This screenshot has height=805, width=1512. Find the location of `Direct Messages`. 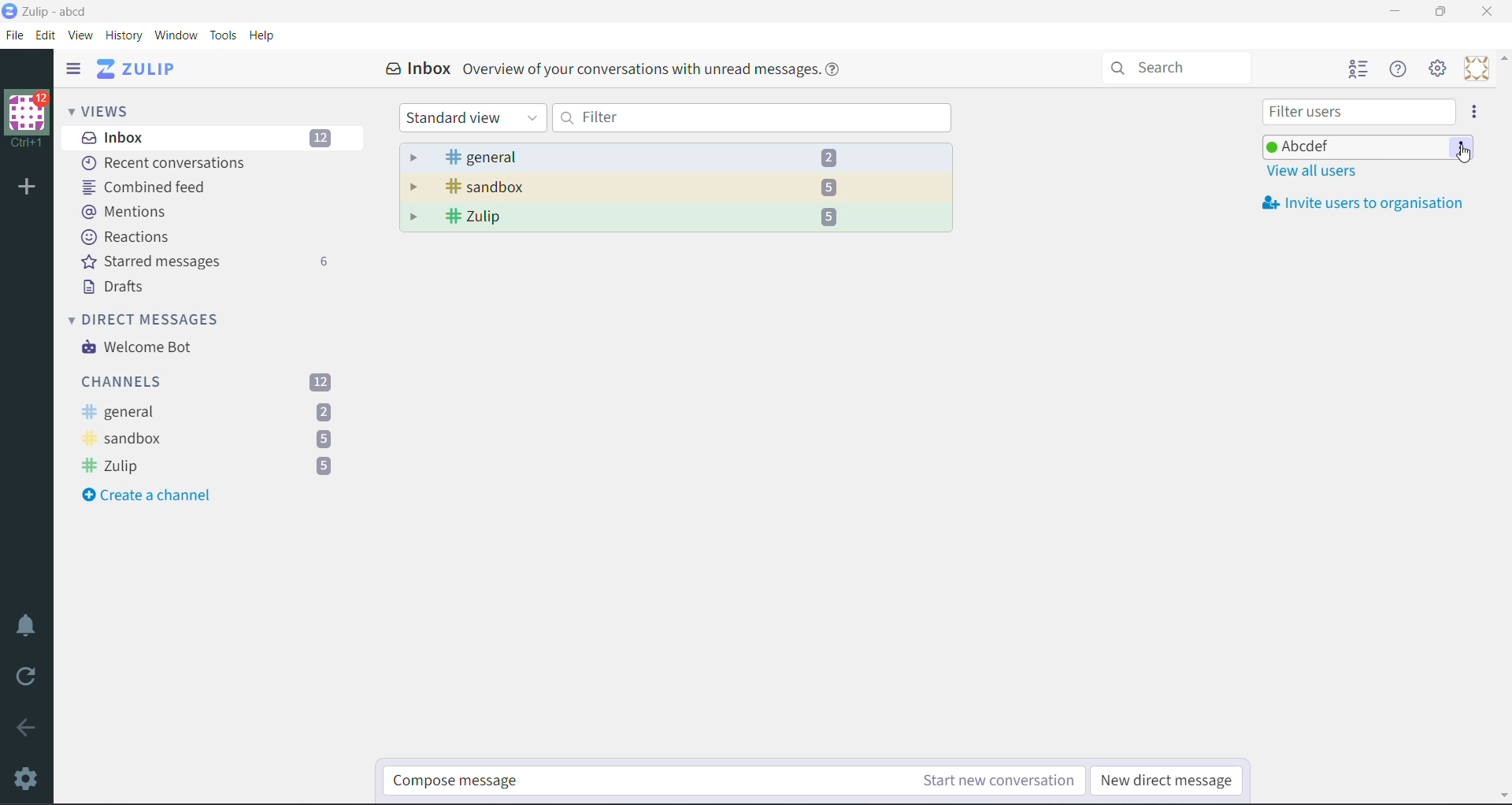

Direct Messages is located at coordinates (150, 318).